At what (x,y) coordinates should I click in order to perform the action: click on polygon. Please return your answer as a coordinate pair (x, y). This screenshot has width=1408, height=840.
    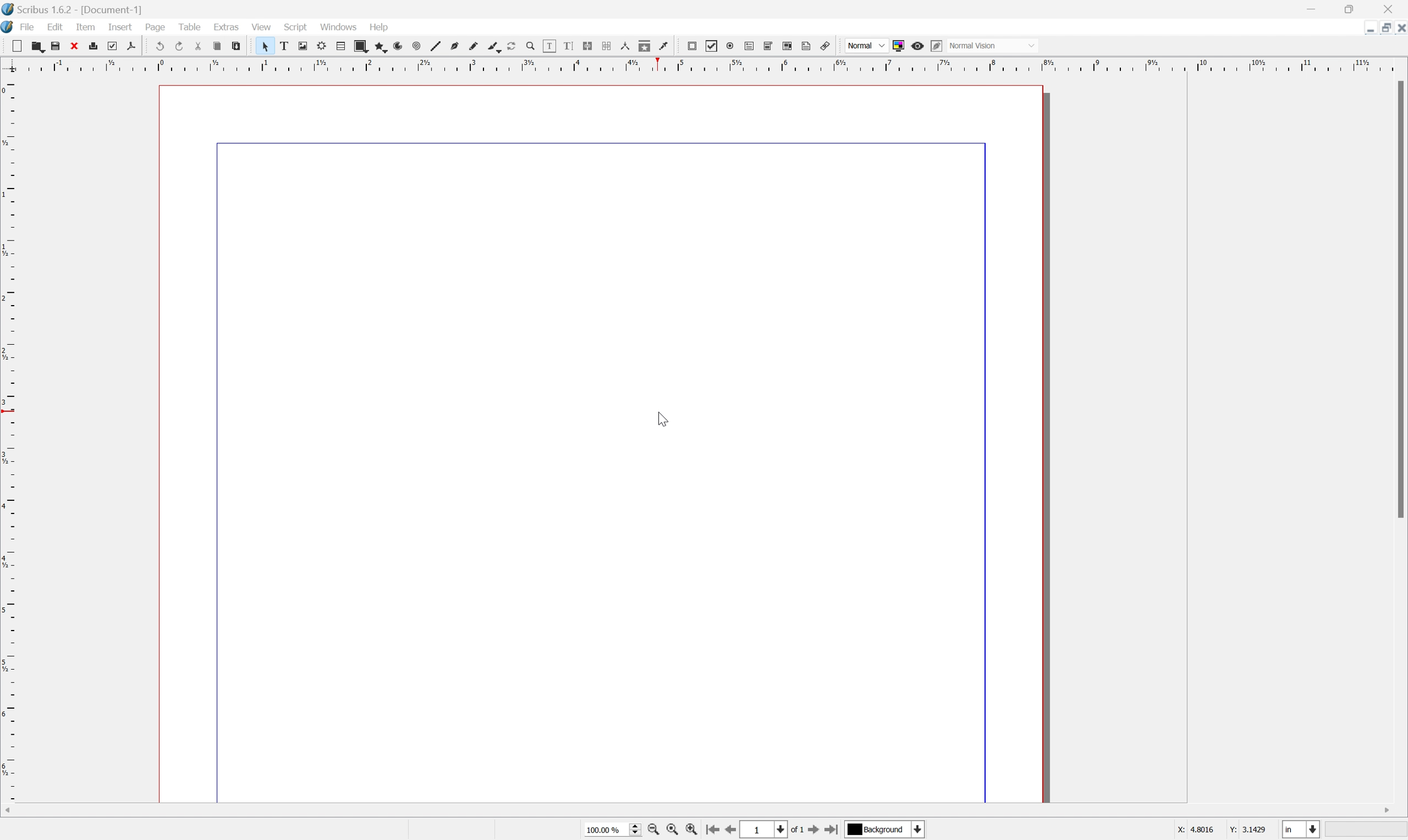
    Looking at the image, I should click on (380, 48).